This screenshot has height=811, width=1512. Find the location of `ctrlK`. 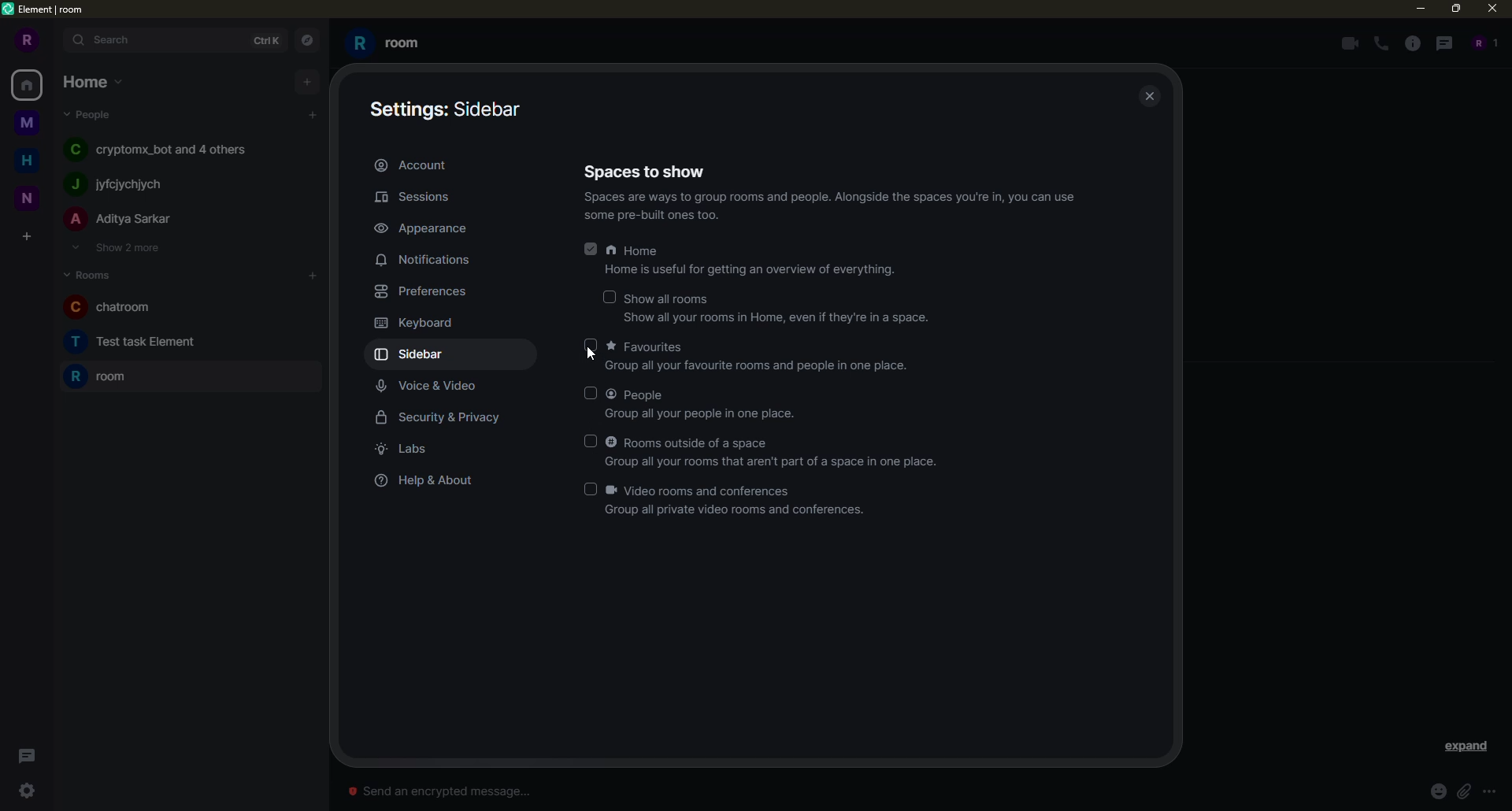

ctrlK is located at coordinates (268, 41).